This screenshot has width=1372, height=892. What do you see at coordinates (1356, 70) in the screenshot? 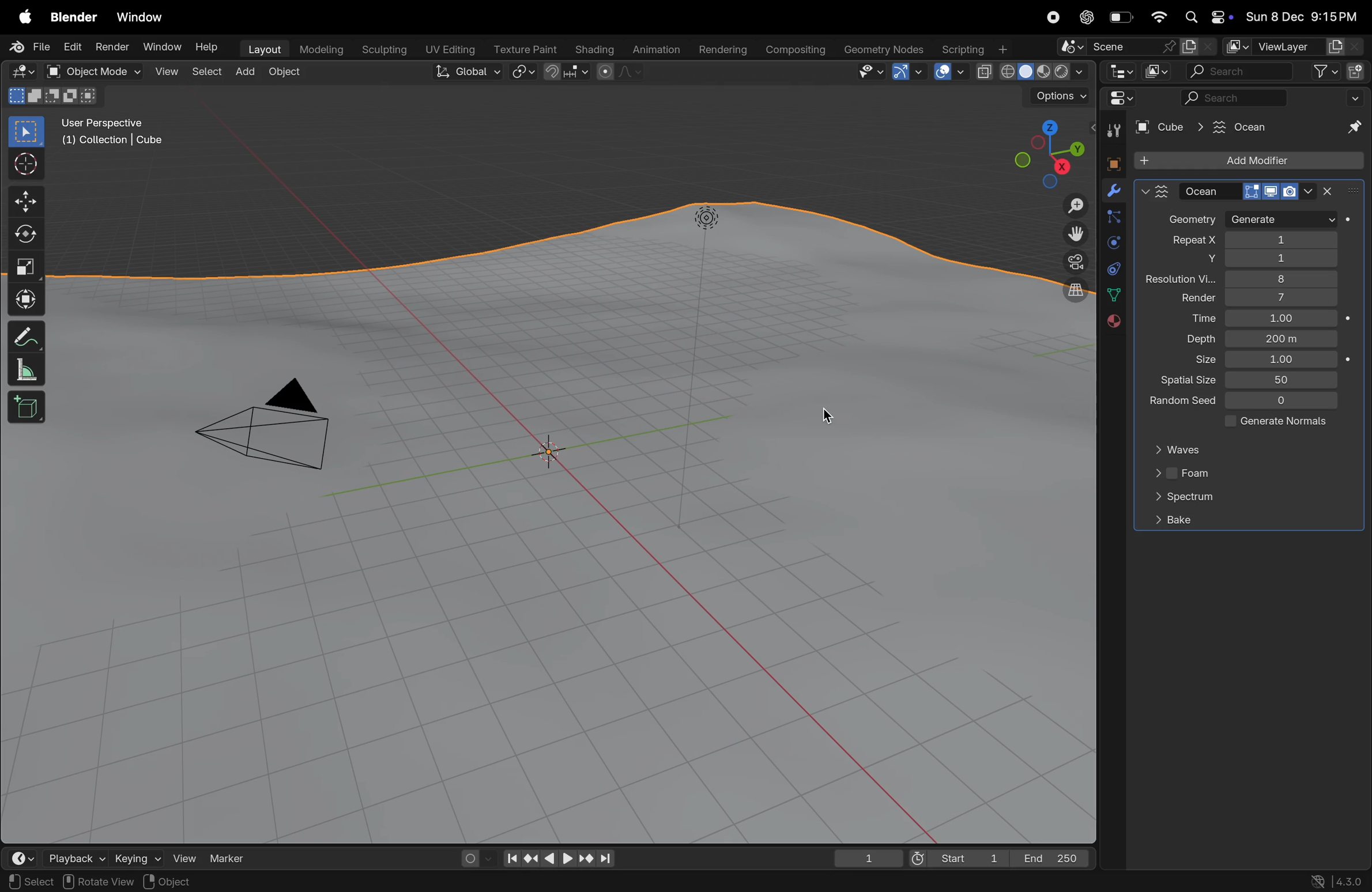
I see `new collection` at bounding box center [1356, 70].